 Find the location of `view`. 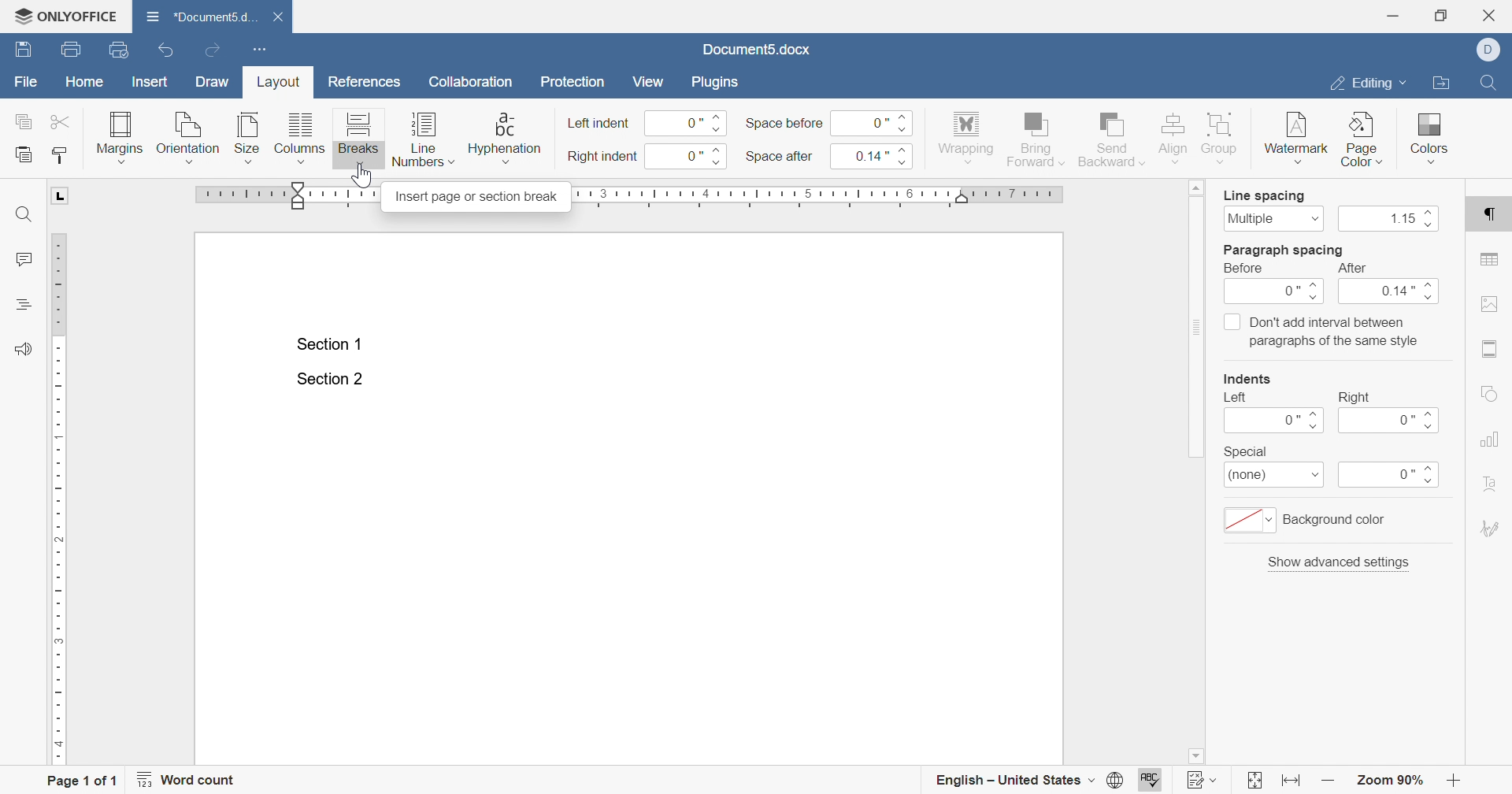

view is located at coordinates (650, 82).